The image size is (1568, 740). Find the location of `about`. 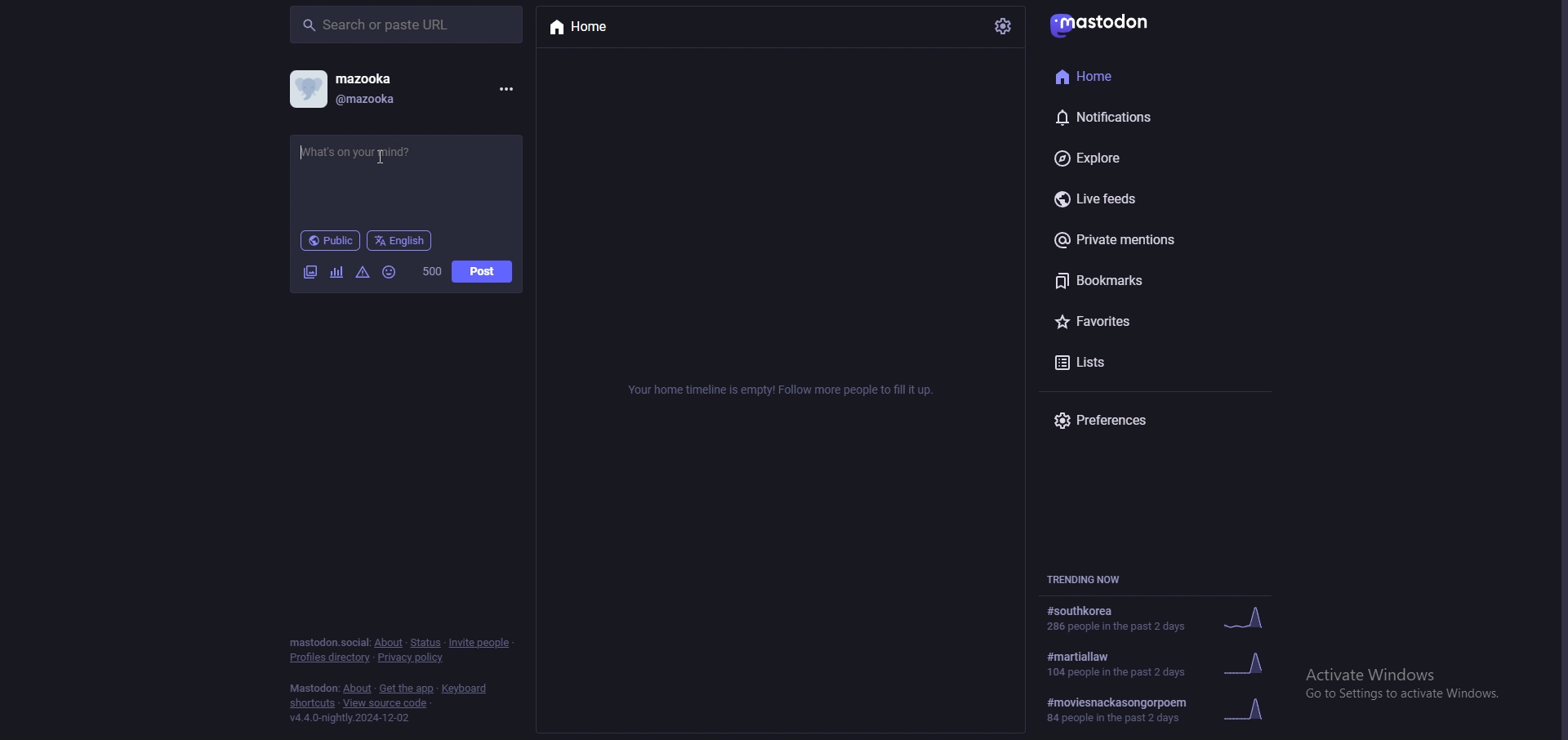

about is located at coordinates (389, 643).